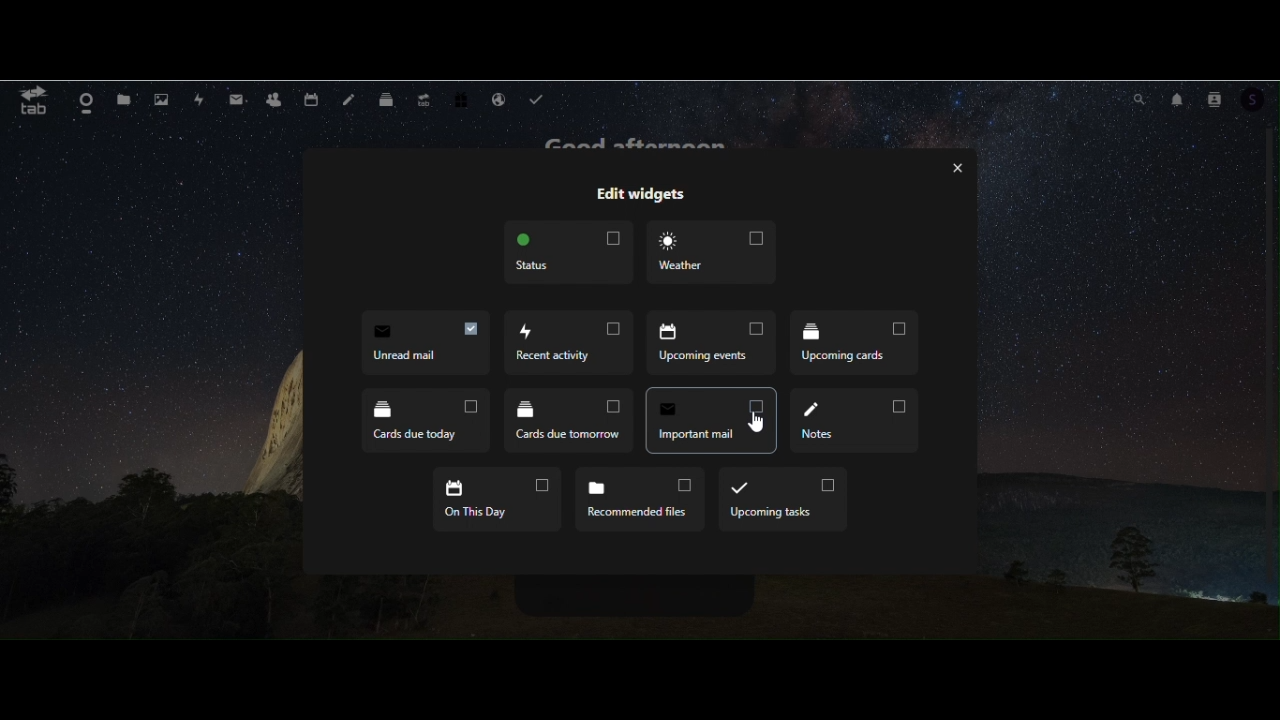  What do you see at coordinates (426, 97) in the screenshot?
I see `upgrade` at bounding box center [426, 97].